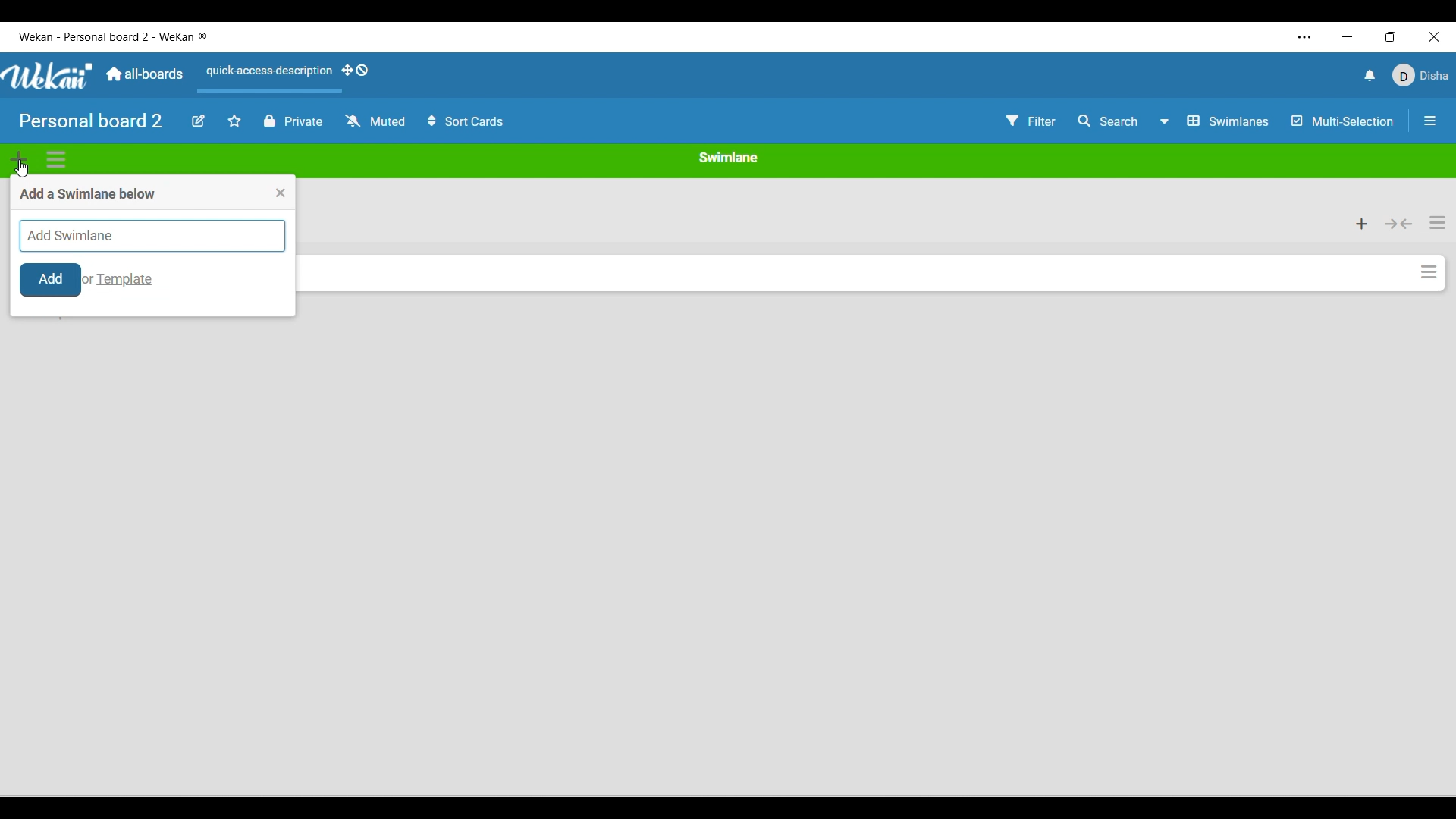 This screenshot has height=819, width=1456. Describe the element at coordinates (1344, 121) in the screenshot. I see `Toggle for multi-selection` at that location.